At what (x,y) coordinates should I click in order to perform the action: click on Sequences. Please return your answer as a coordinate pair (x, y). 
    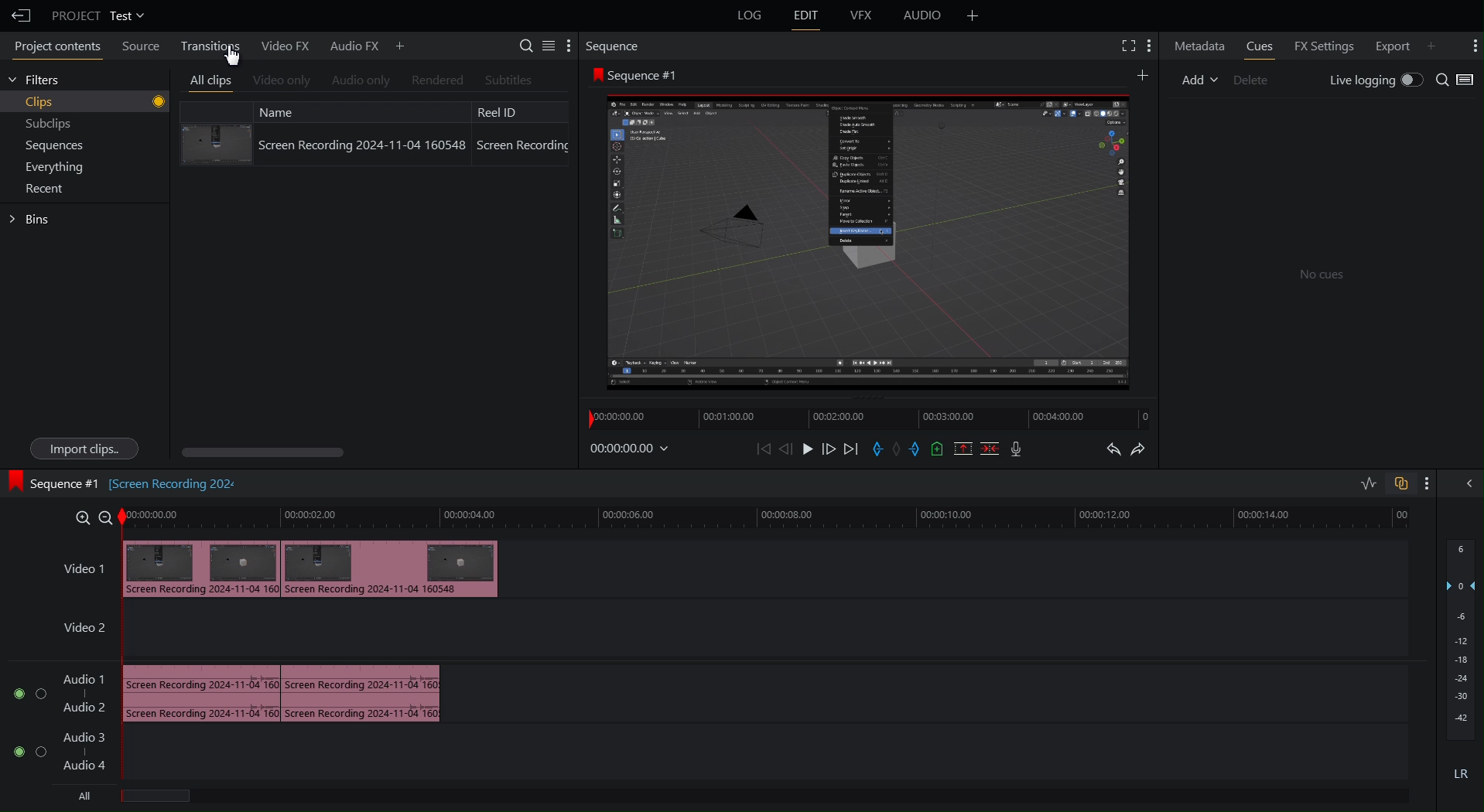
    Looking at the image, I should click on (46, 145).